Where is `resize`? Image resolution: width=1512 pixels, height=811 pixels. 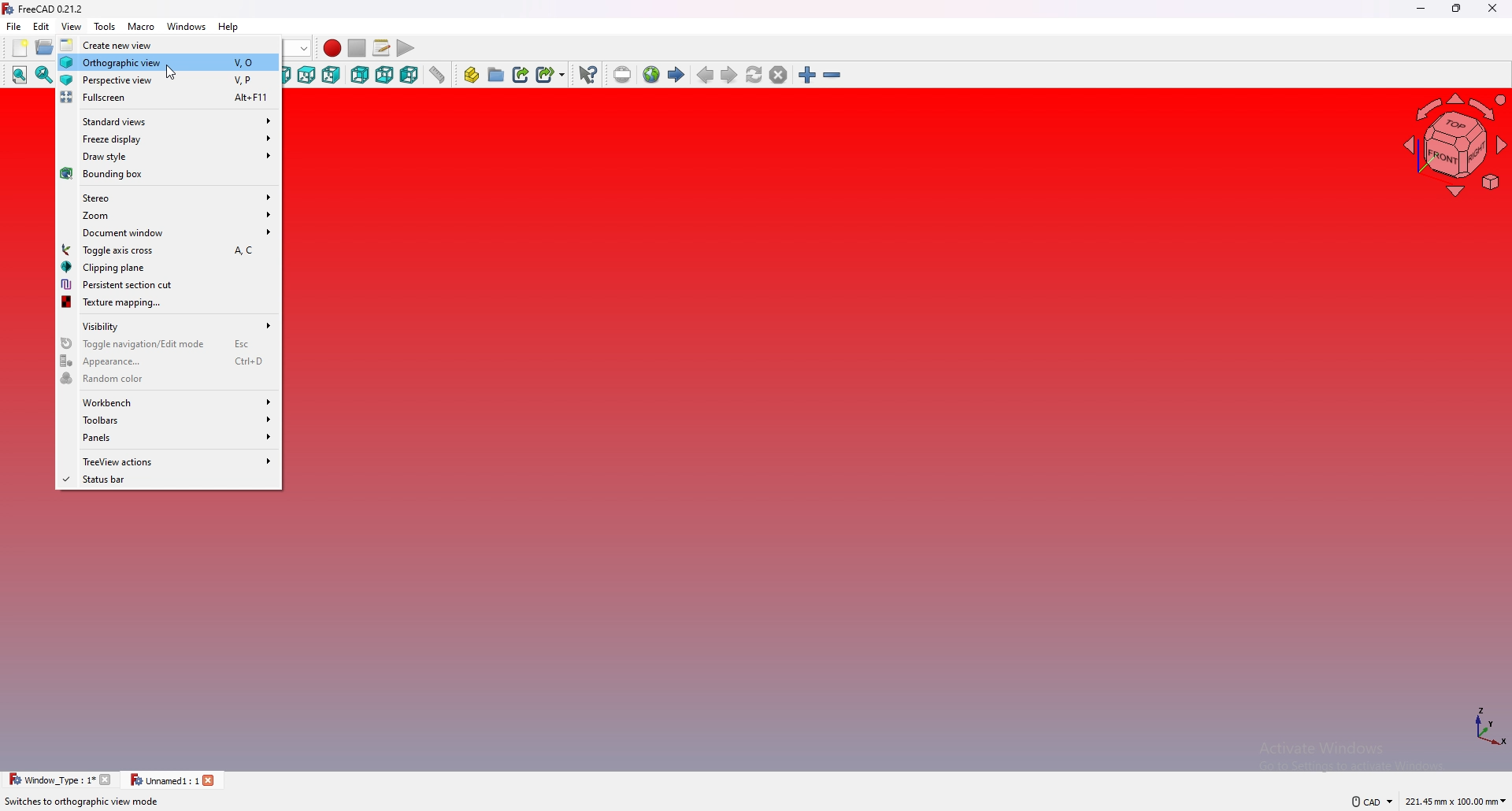 resize is located at coordinates (1457, 9).